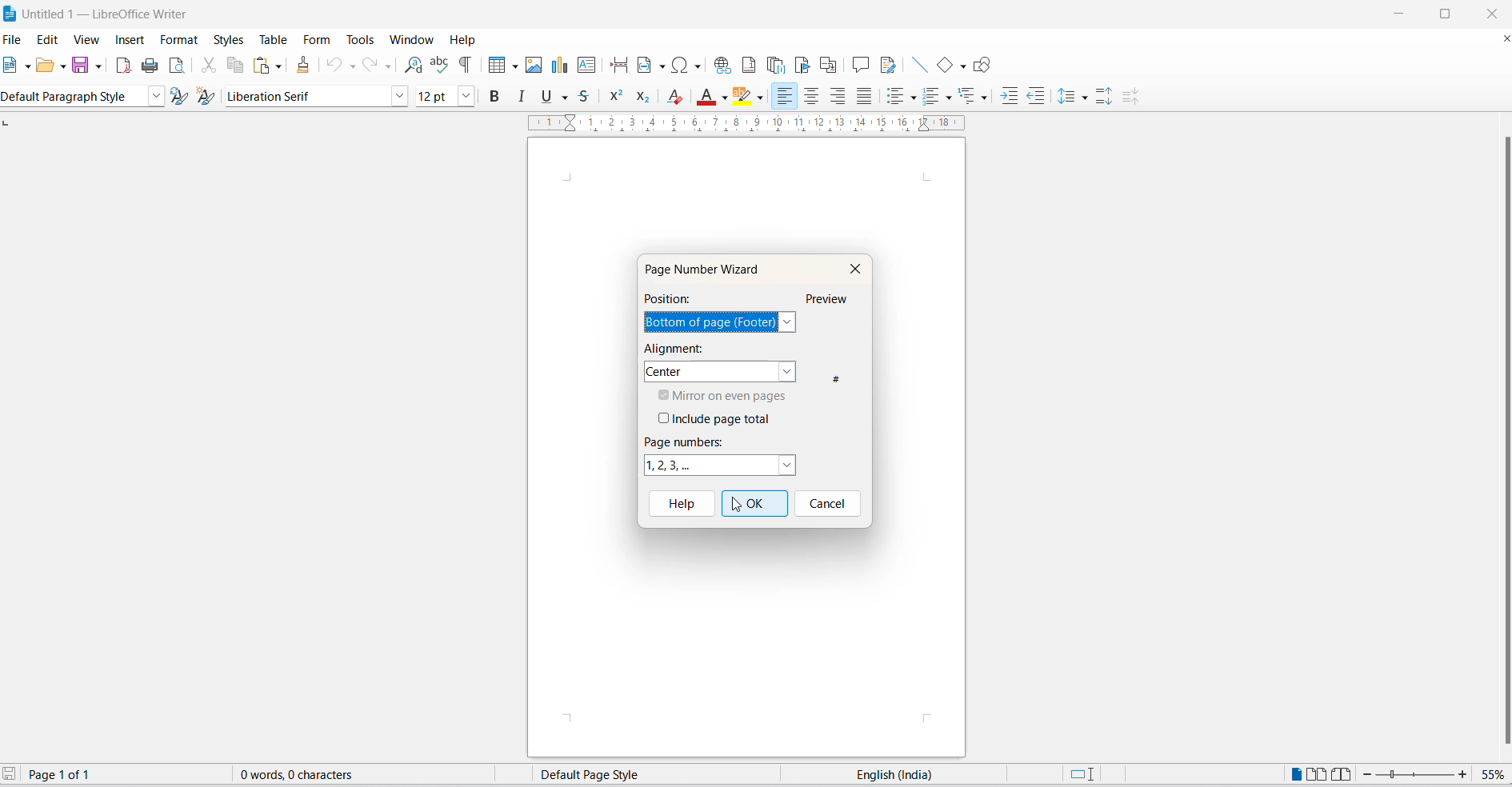 The image size is (1512, 787). What do you see at coordinates (305, 68) in the screenshot?
I see `clone formatting` at bounding box center [305, 68].